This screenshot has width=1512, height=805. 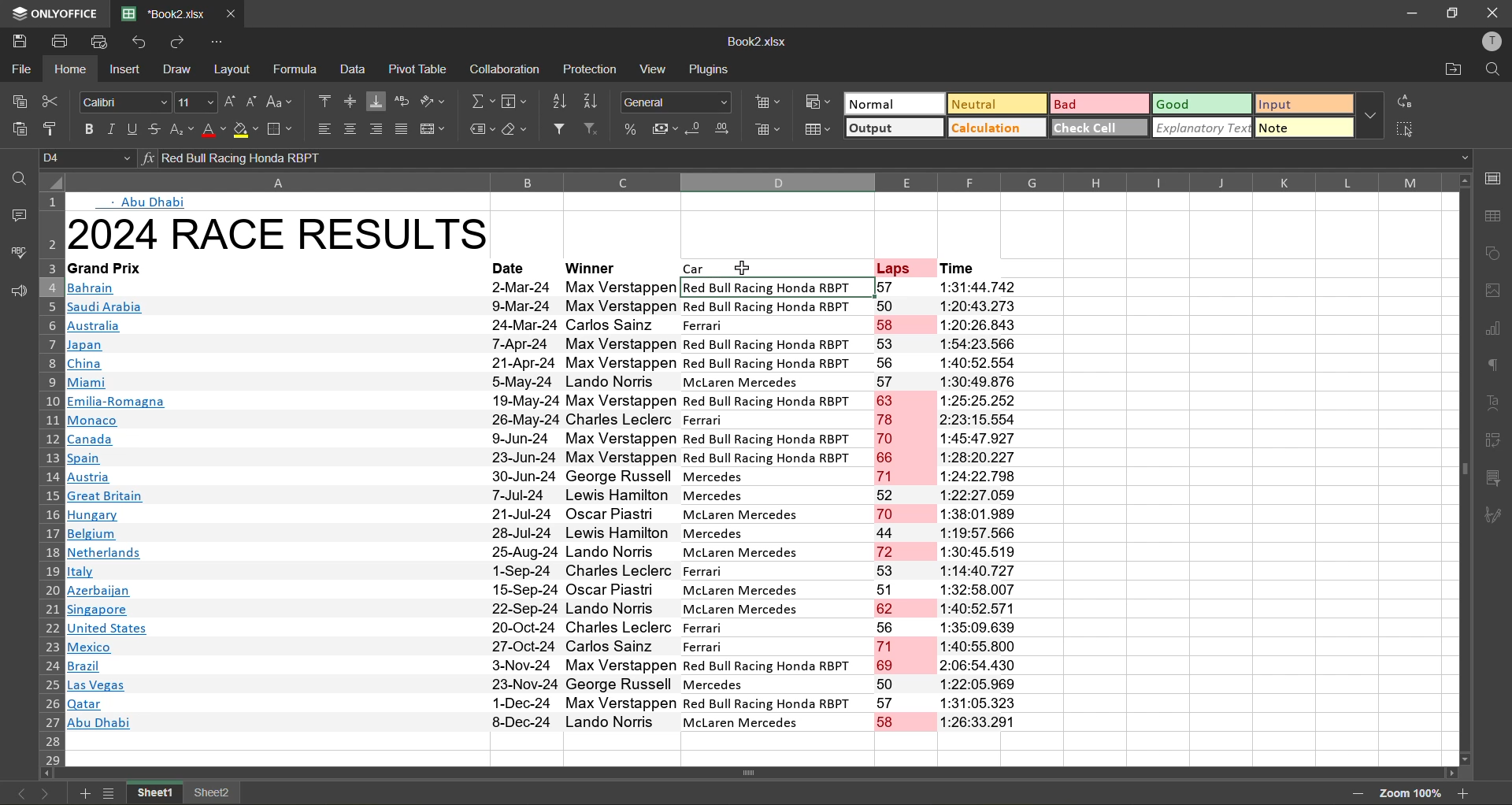 What do you see at coordinates (821, 103) in the screenshot?
I see `conditional formatting` at bounding box center [821, 103].